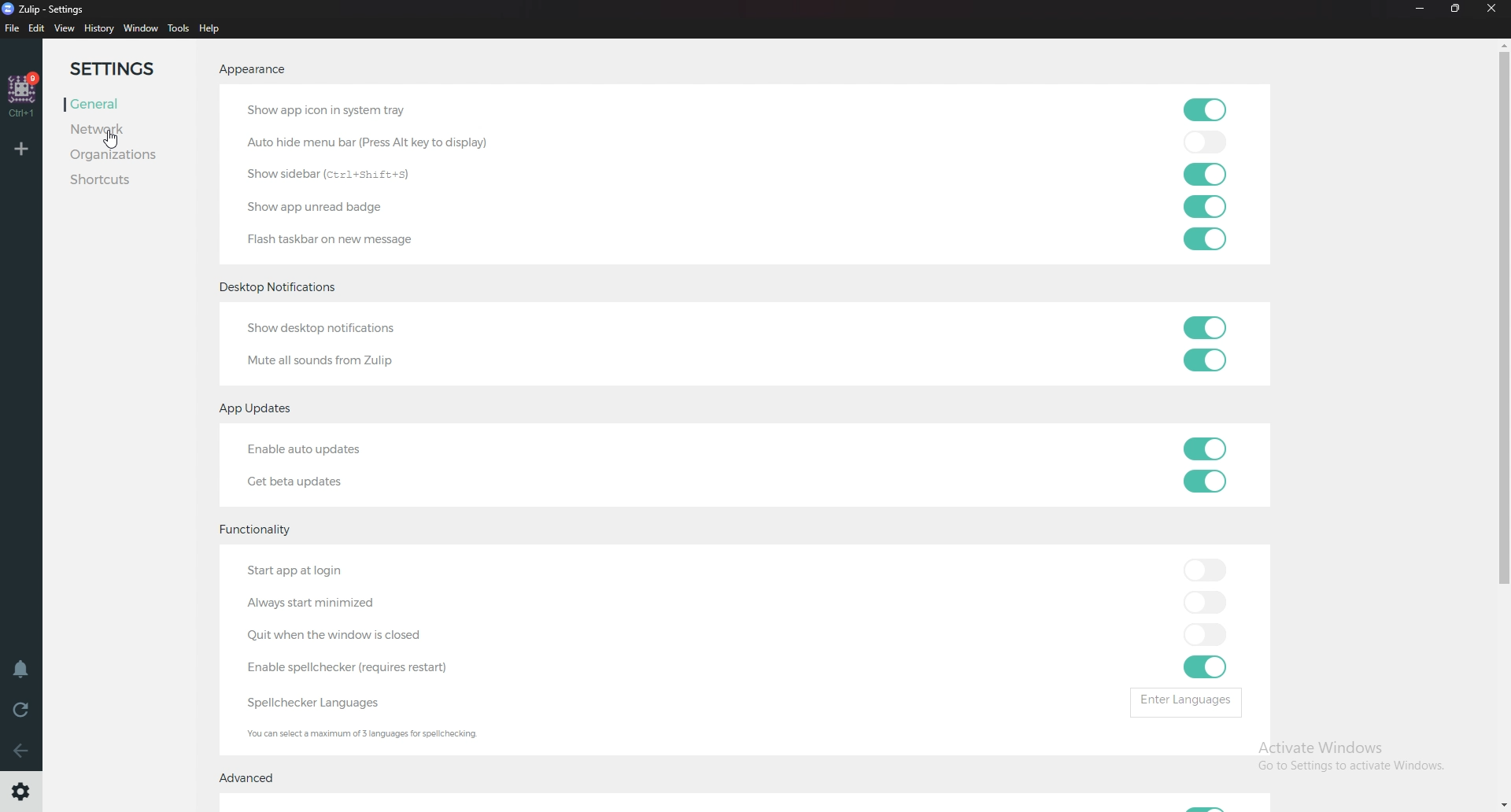 The height and width of the screenshot is (812, 1511). I want to click on file, so click(11, 28).